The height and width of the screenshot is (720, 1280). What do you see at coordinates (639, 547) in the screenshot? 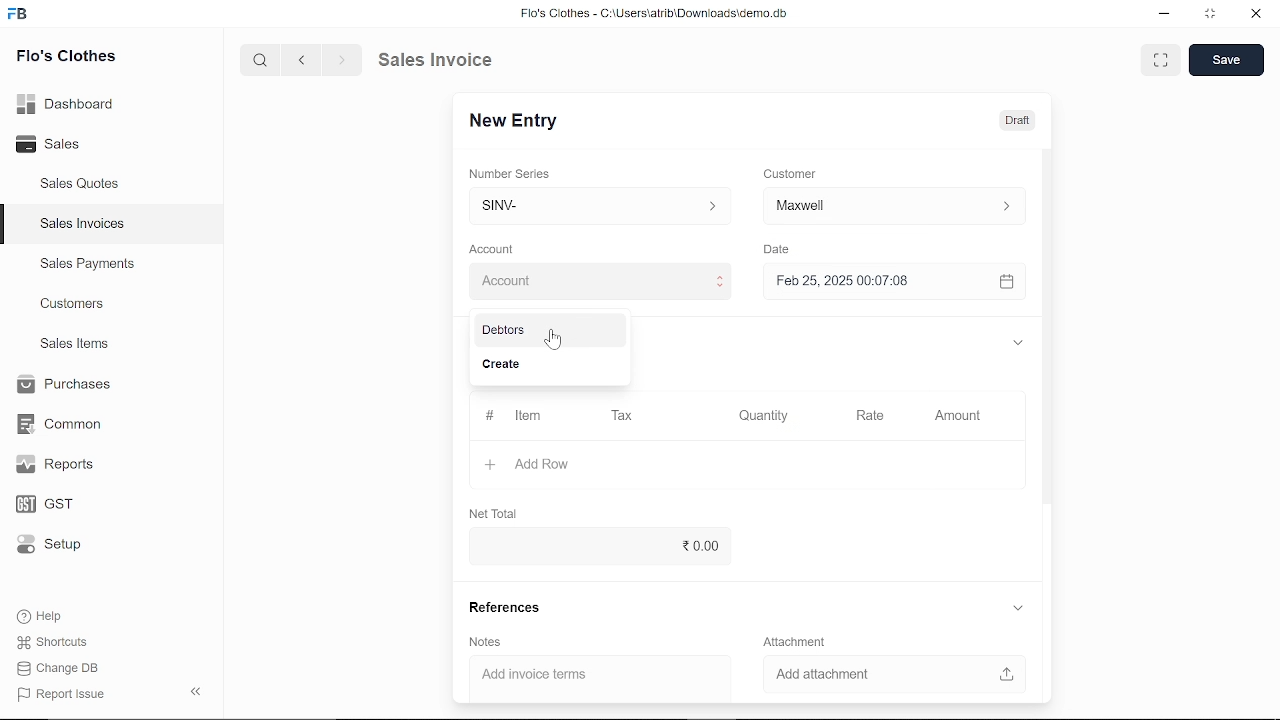
I see `20.00` at bounding box center [639, 547].